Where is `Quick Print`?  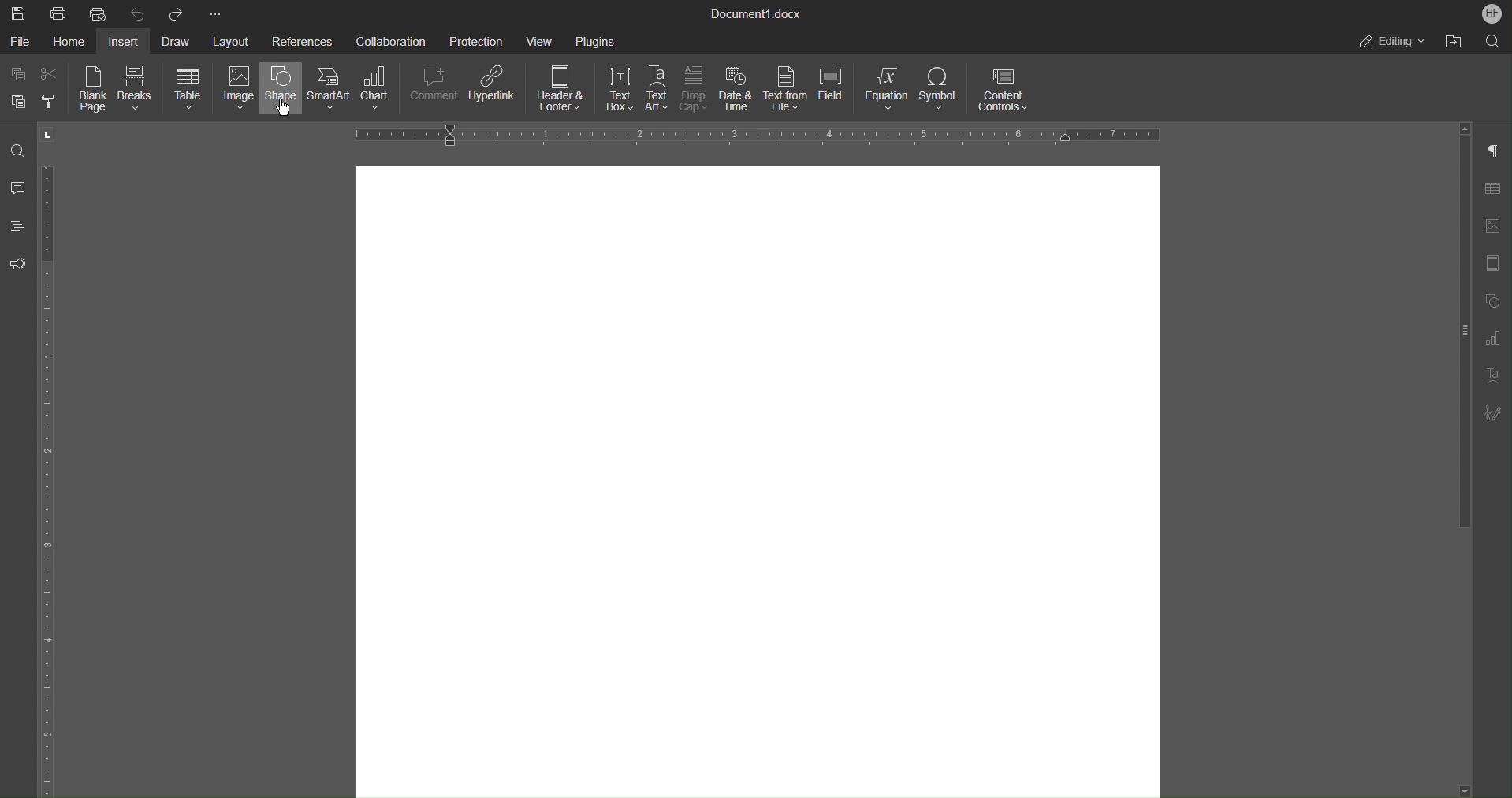 Quick Print is located at coordinates (99, 13).